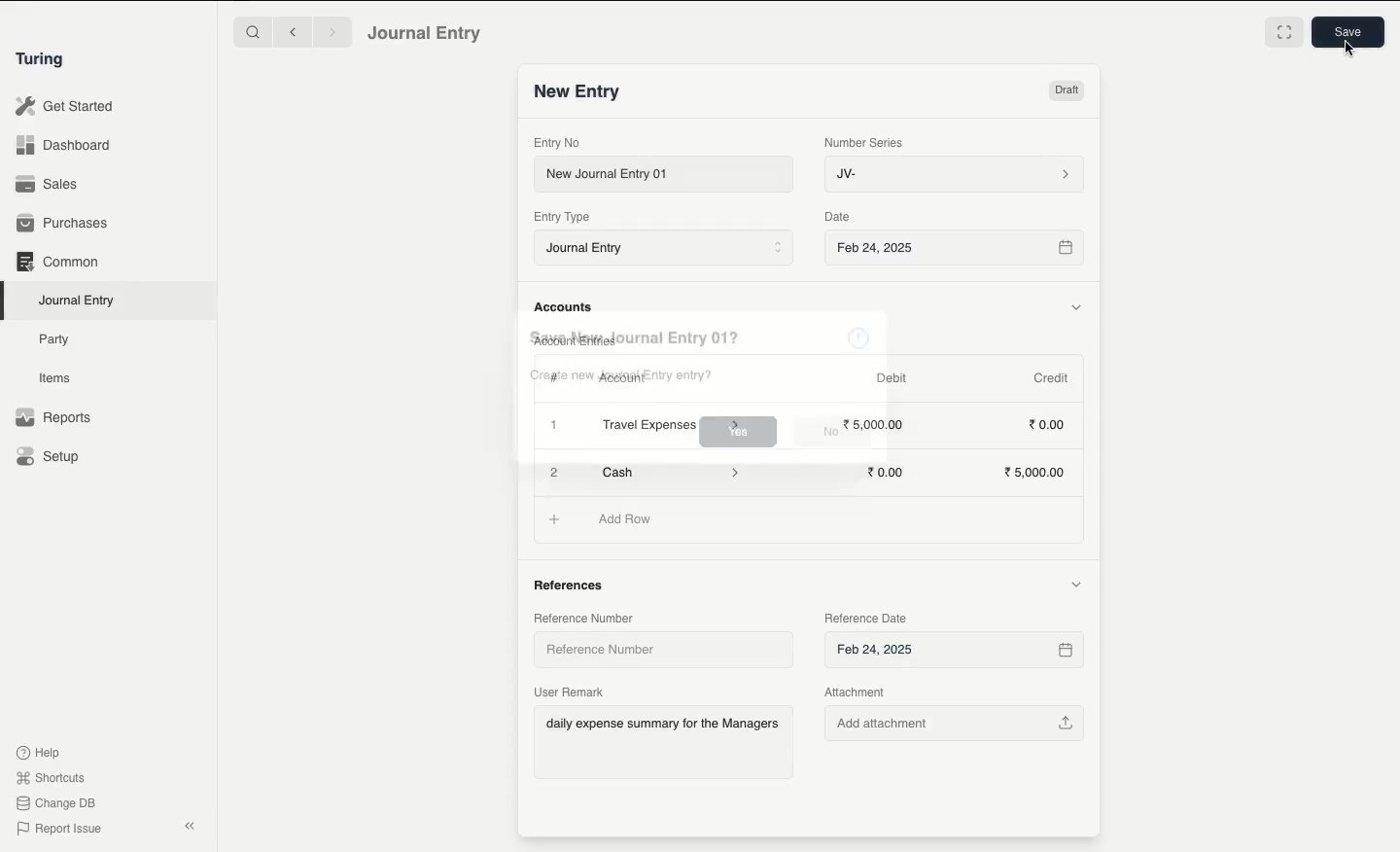 The height and width of the screenshot is (852, 1400). What do you see at coordinates (663, 247) in the screenshot?
I see `Journal Entry` at bounding box center [663, 247].